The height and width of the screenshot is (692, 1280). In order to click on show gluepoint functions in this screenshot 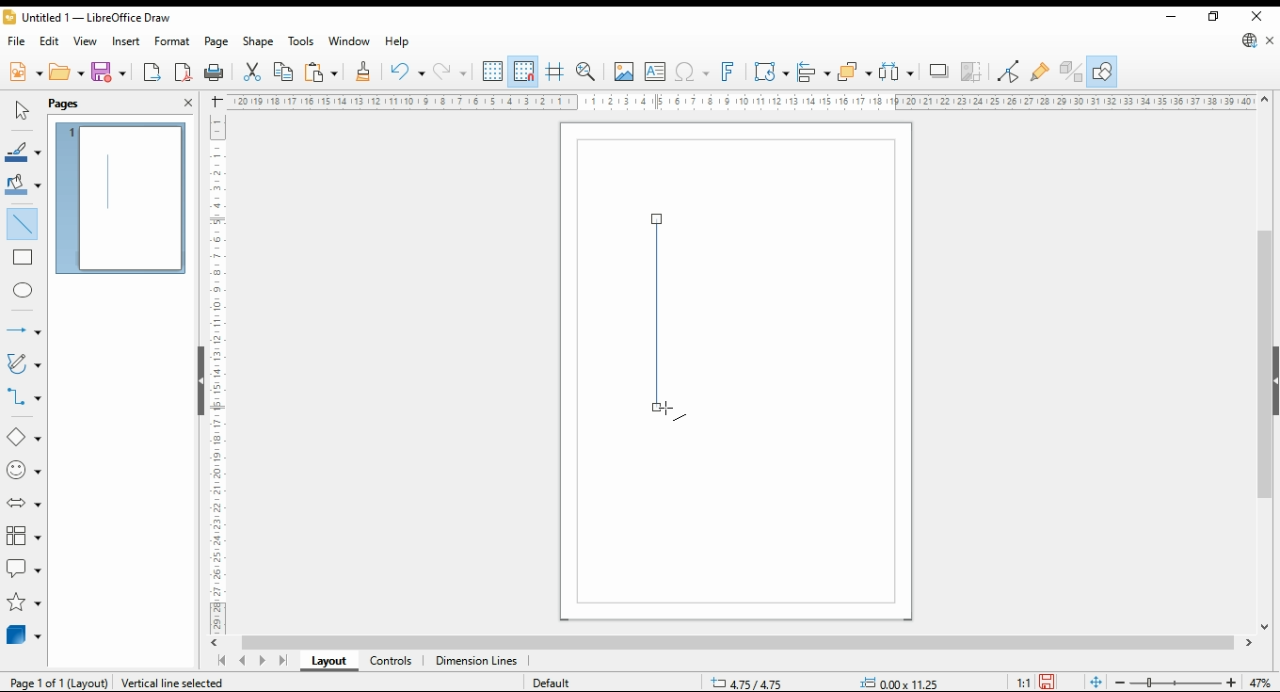, I will do `click(1040, 71)`.